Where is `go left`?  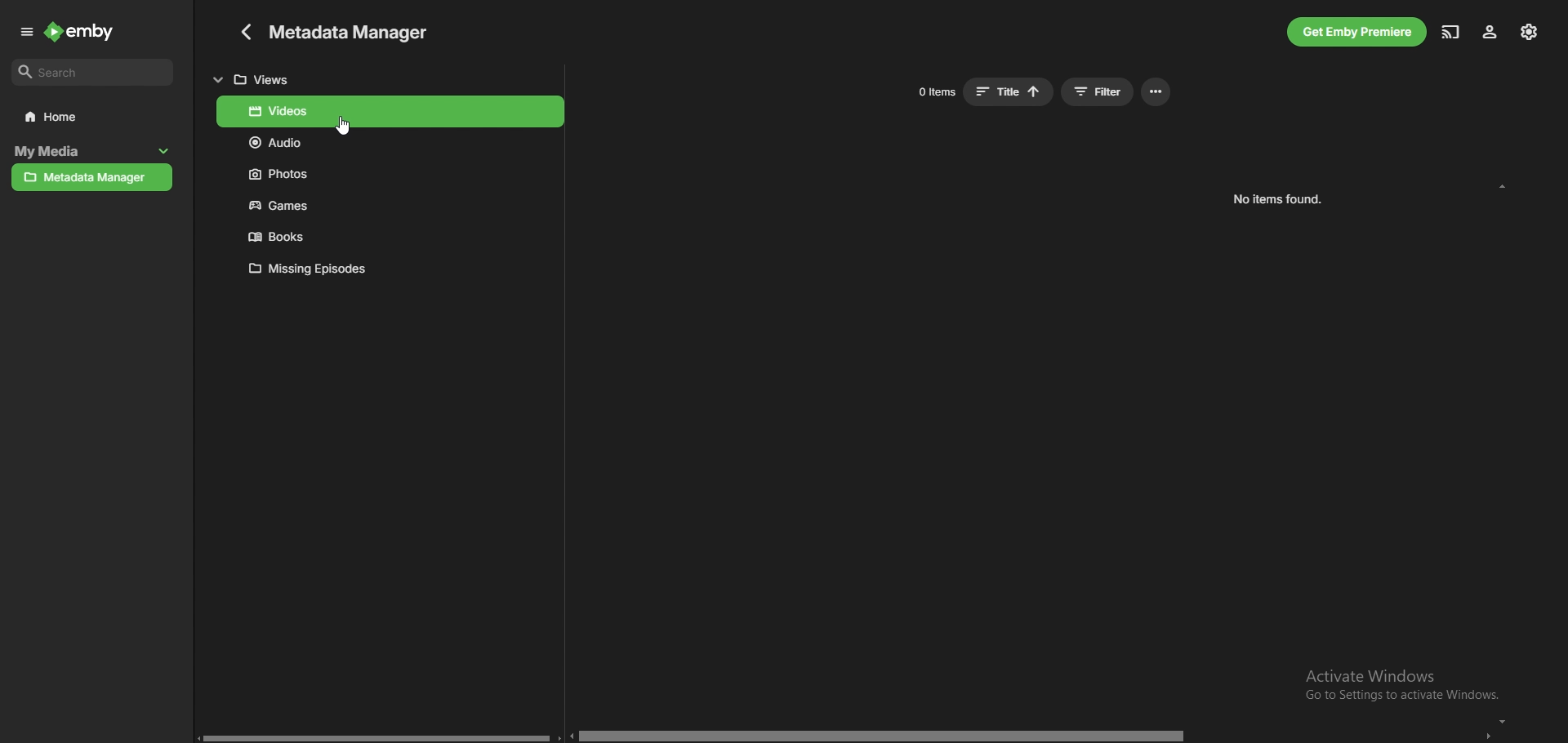 go left is located at coordinates (195, 738).